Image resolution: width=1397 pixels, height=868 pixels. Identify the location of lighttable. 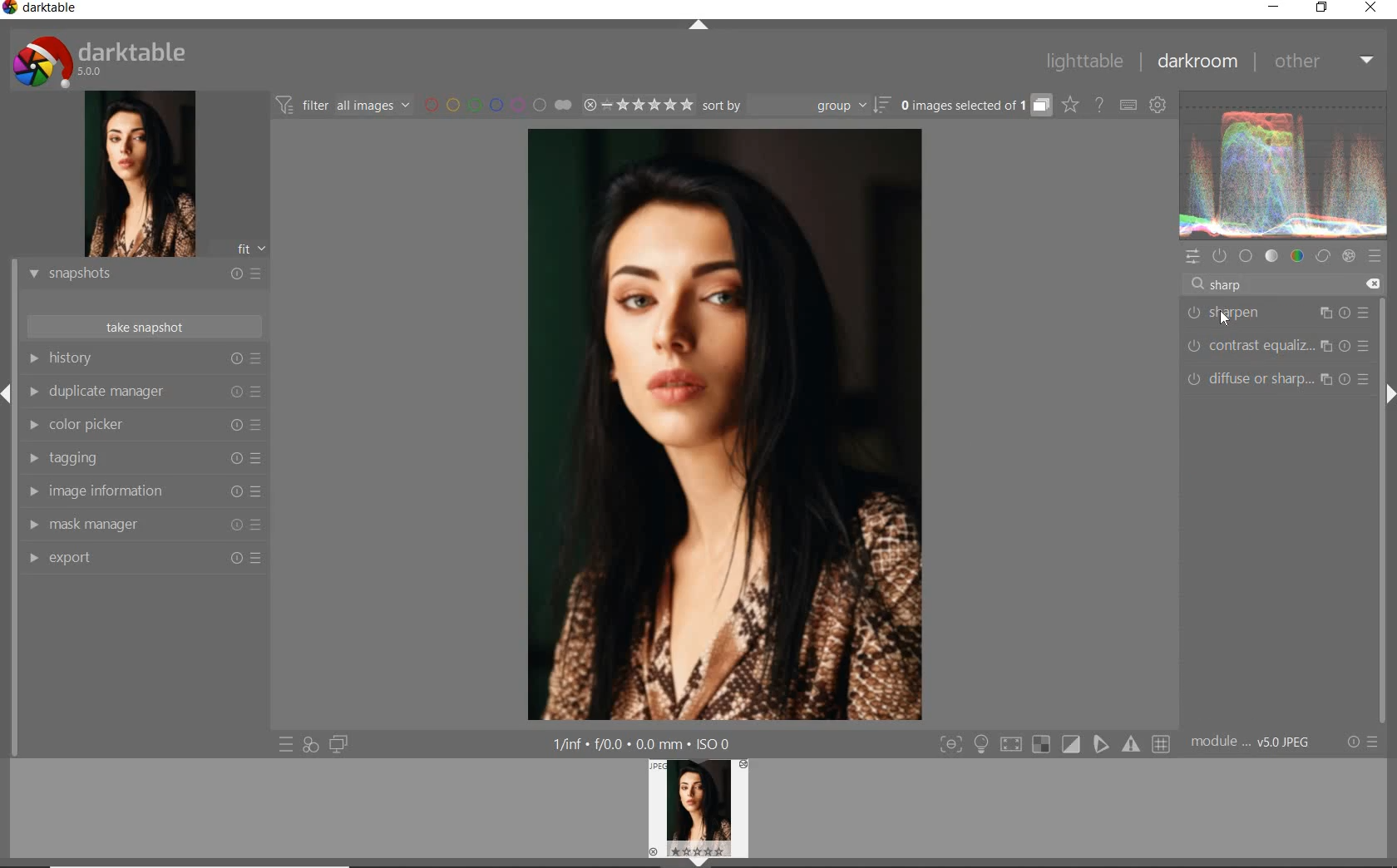
(1084, 62).